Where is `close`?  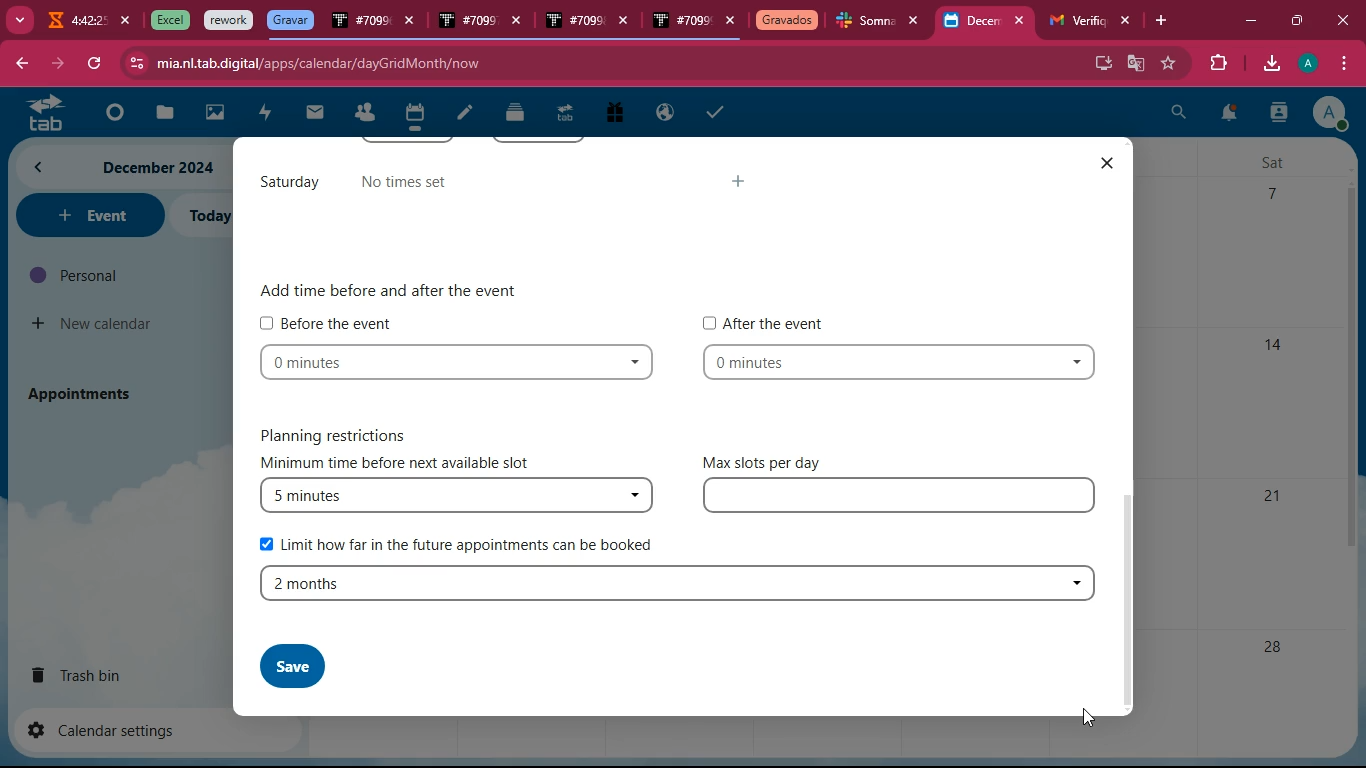 close is located at coordinates (521, 24).